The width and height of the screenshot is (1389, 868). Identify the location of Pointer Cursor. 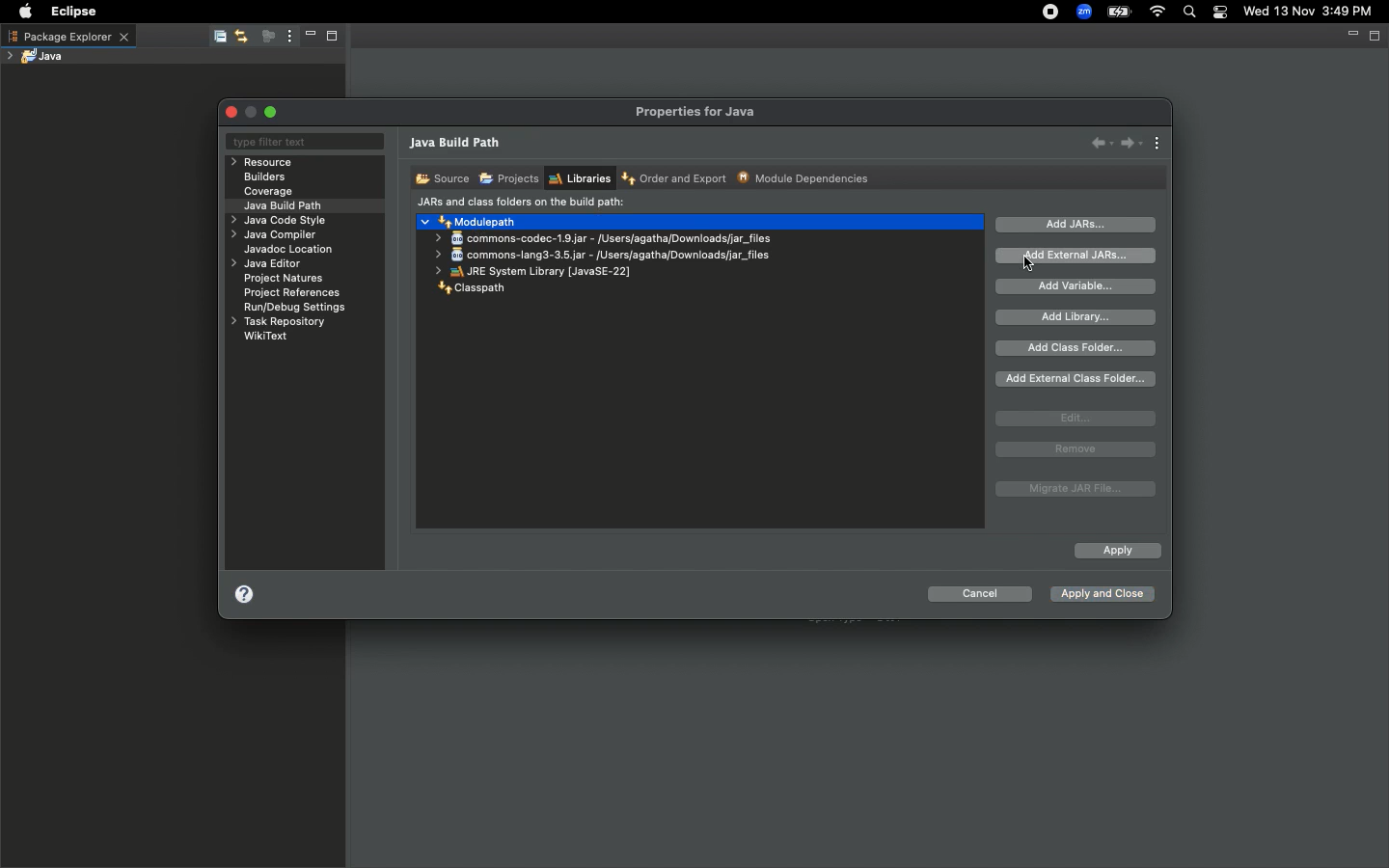
(1029, 268).